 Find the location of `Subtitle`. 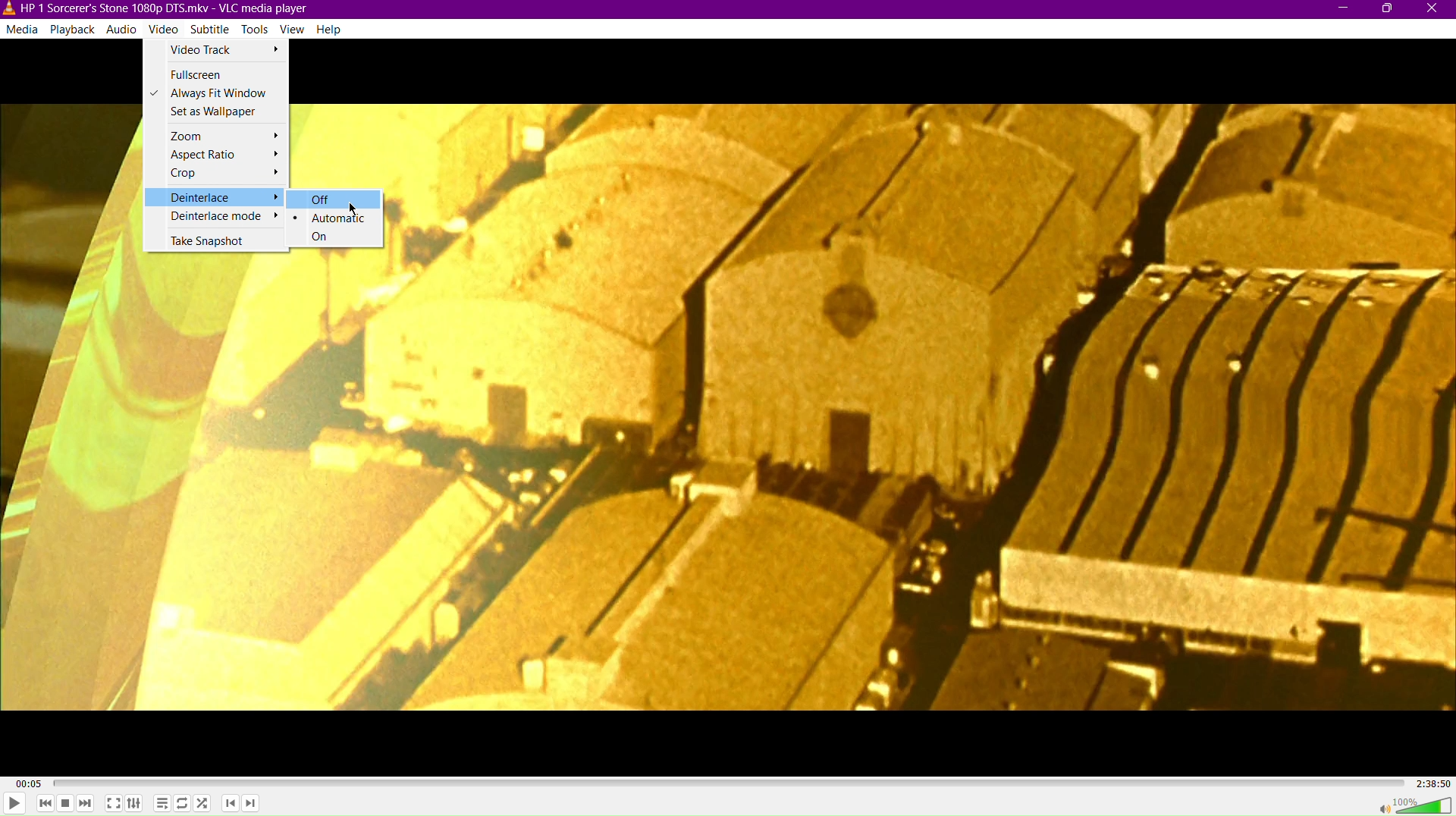

Subtitle is located at coordinates (212, 29).